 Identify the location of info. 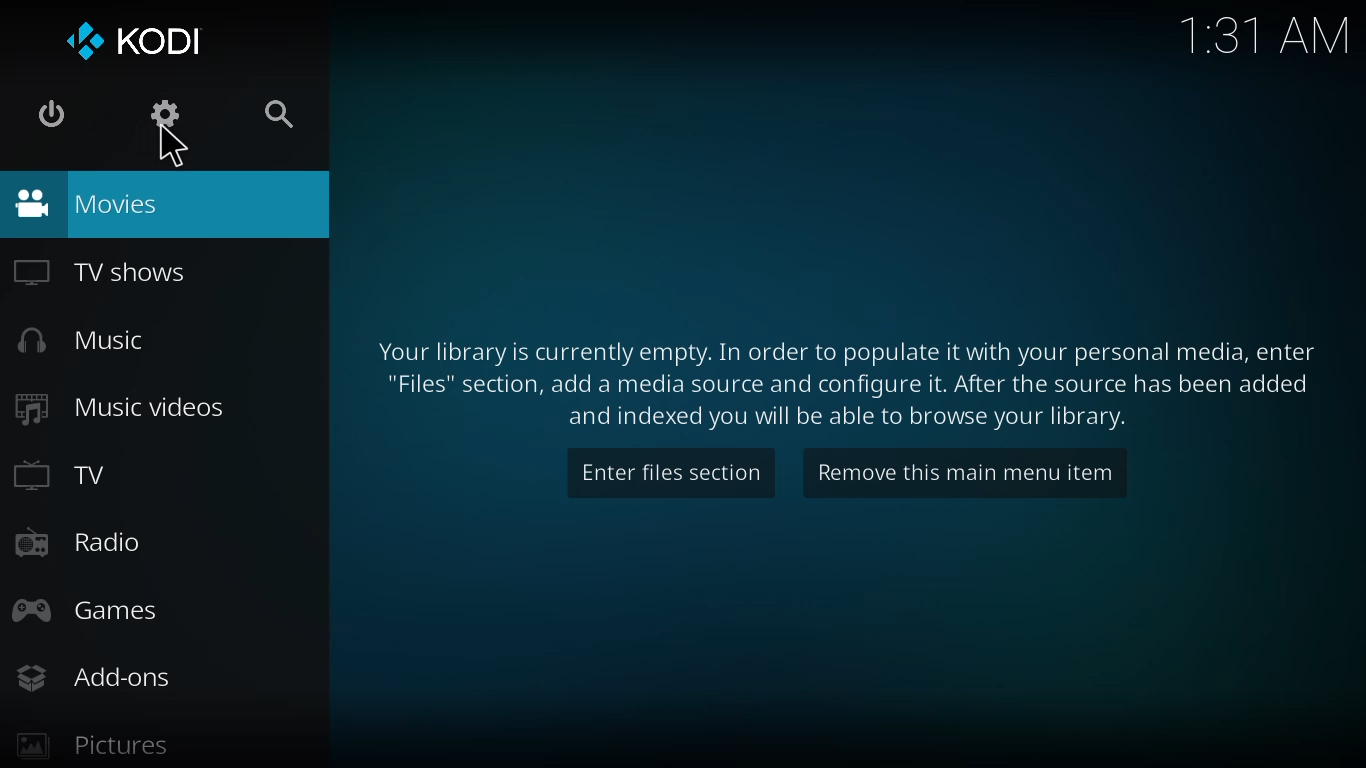
(843, 382).